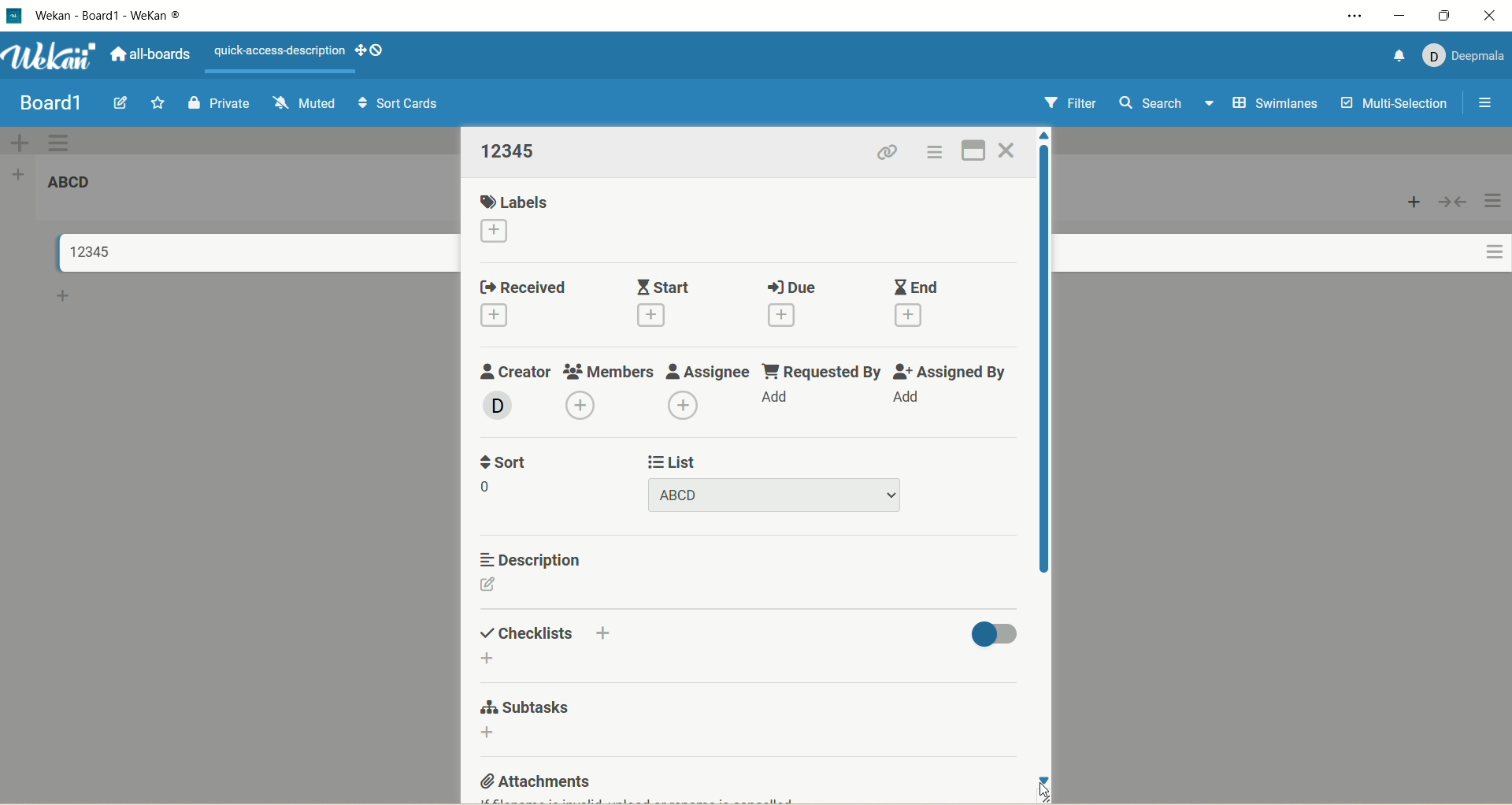 The height and width of the screenshot is (805, 1512). Describe the element at coordinates (1483, 104) in the screenshot. I see `open/close sidebar` at that location.